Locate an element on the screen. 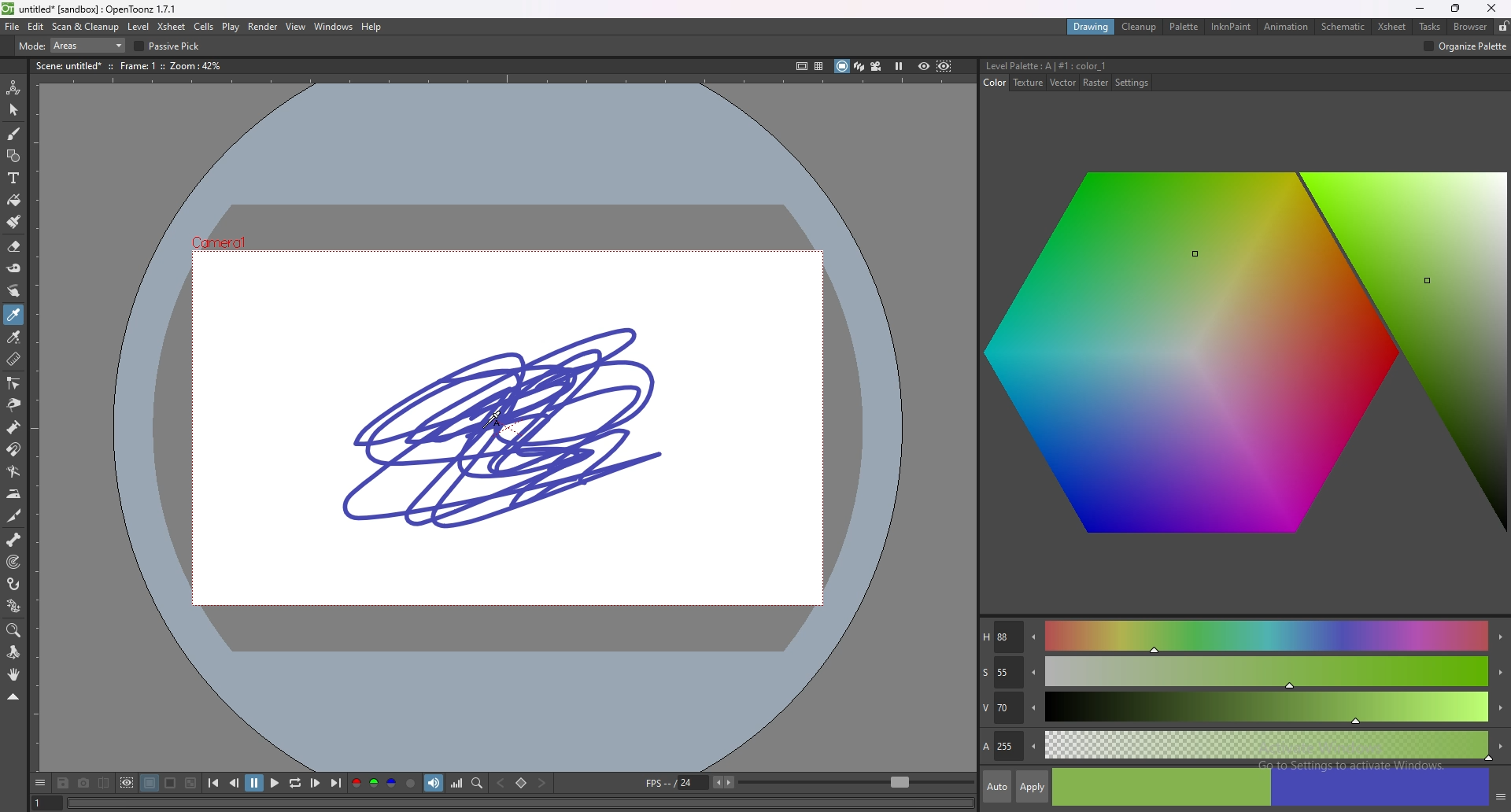 The width and height of the screenshot is (1511, 812). previous is located at coordinates (234, 783).